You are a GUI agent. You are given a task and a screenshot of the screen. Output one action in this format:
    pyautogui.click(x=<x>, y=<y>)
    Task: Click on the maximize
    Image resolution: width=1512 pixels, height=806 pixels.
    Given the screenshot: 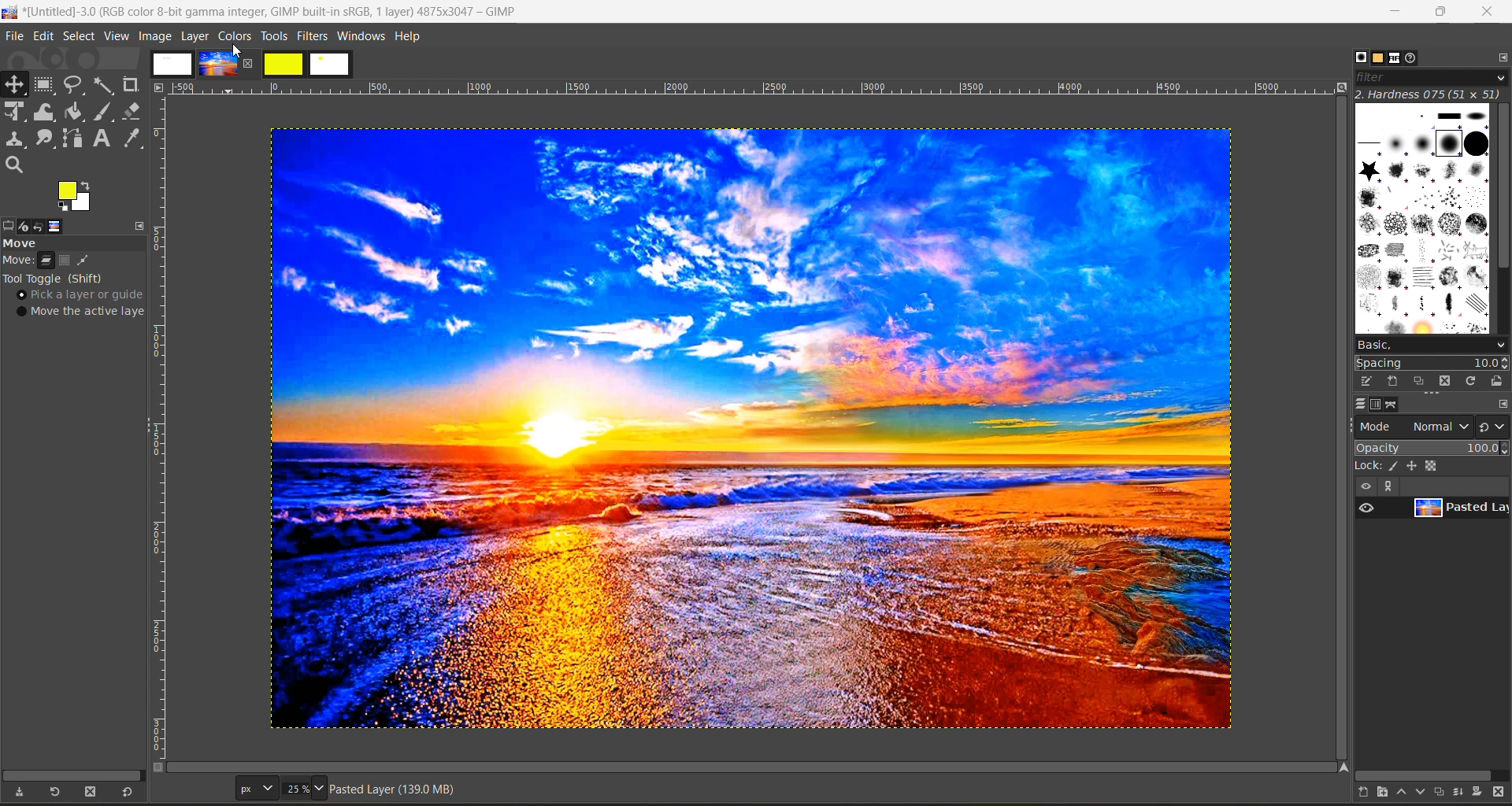 What is the action you would take?
    pyautogui.click(x=1440, y=12)
    